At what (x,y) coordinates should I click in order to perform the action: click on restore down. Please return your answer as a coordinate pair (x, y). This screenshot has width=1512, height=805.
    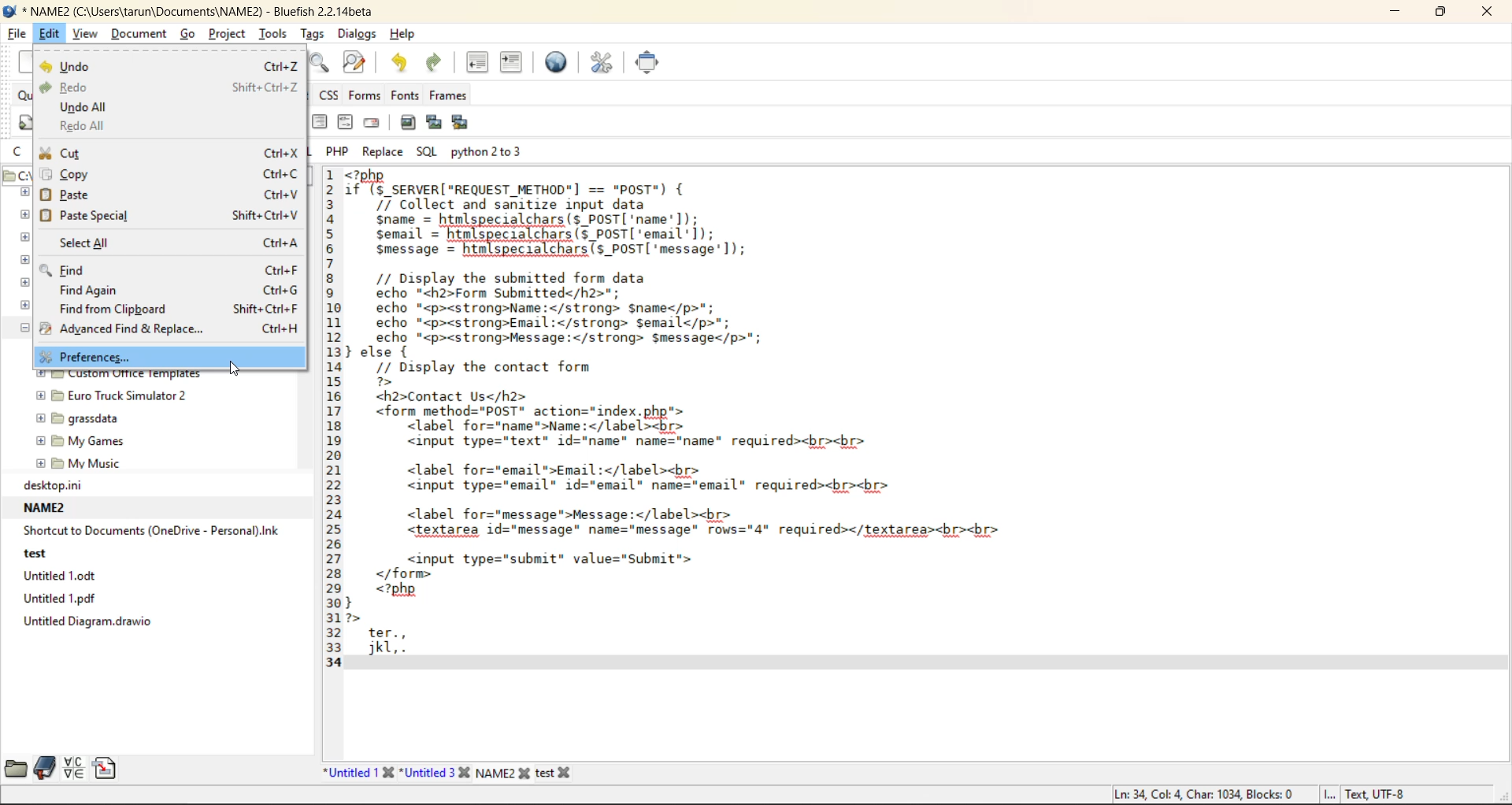
    Looking at the image, I should click on (1444, 13).